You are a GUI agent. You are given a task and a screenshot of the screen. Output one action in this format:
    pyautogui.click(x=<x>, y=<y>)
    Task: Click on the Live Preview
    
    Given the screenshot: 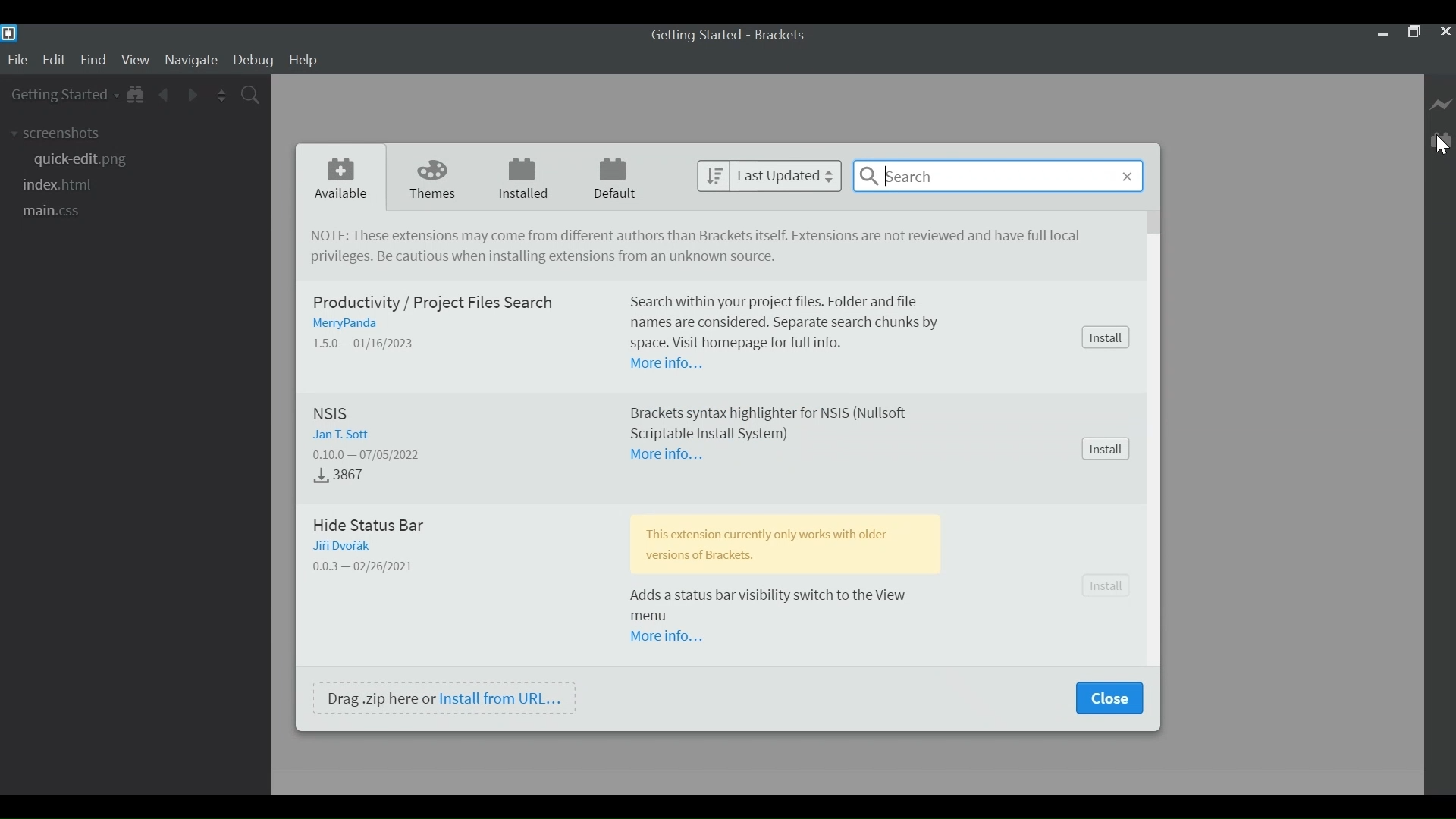 What is the action you would take?
    pyautogui.click(x=1442, y=102)
    